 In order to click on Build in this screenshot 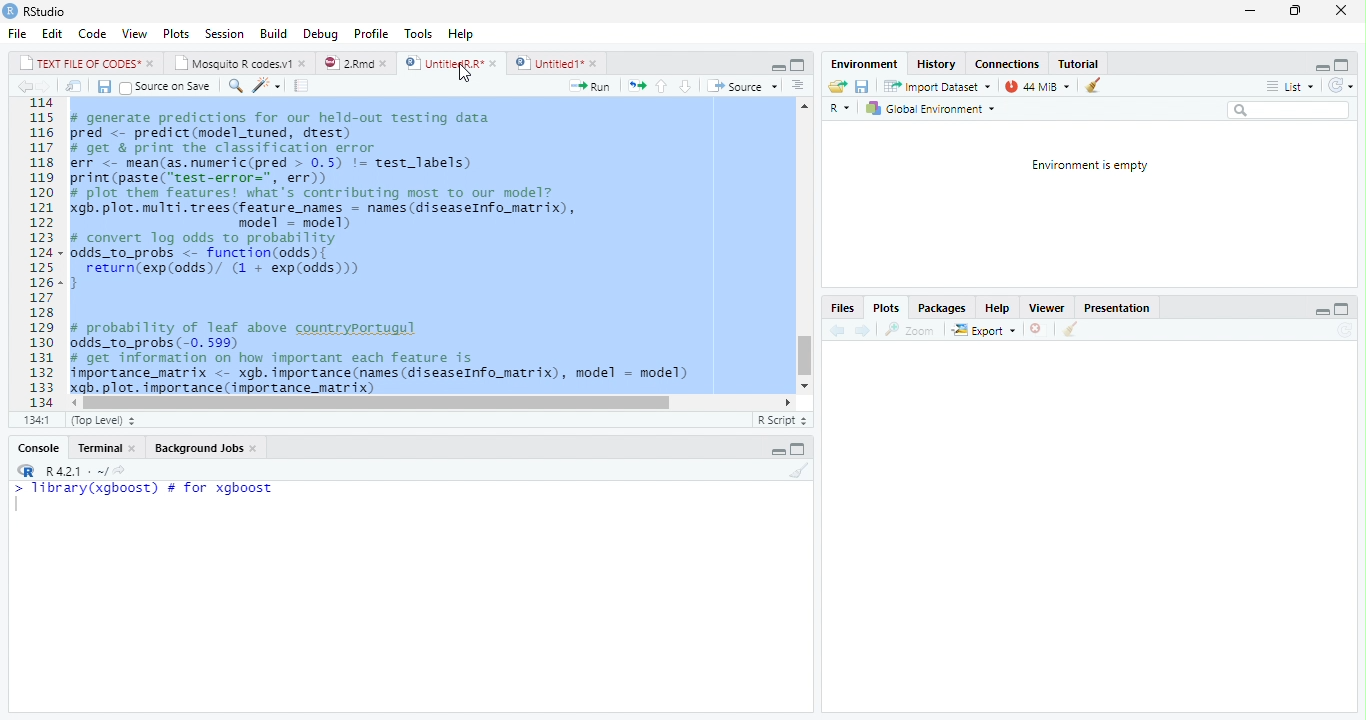, I will do `click(274, 34)`.